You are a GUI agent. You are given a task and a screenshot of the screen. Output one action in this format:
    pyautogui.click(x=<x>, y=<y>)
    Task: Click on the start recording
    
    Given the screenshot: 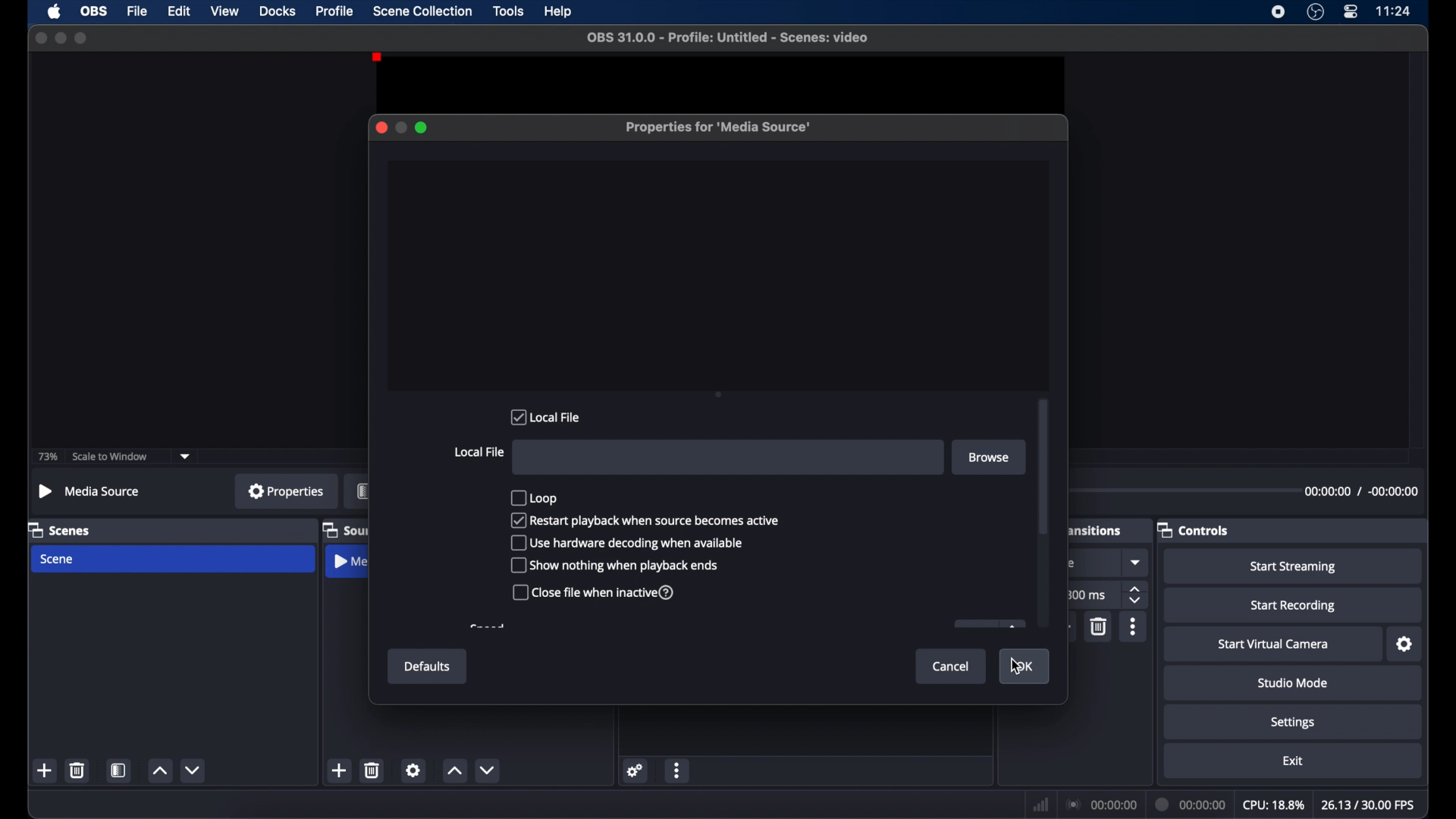 What is the action you would take?
    pyautogui.click(x=1293, y=606)
    